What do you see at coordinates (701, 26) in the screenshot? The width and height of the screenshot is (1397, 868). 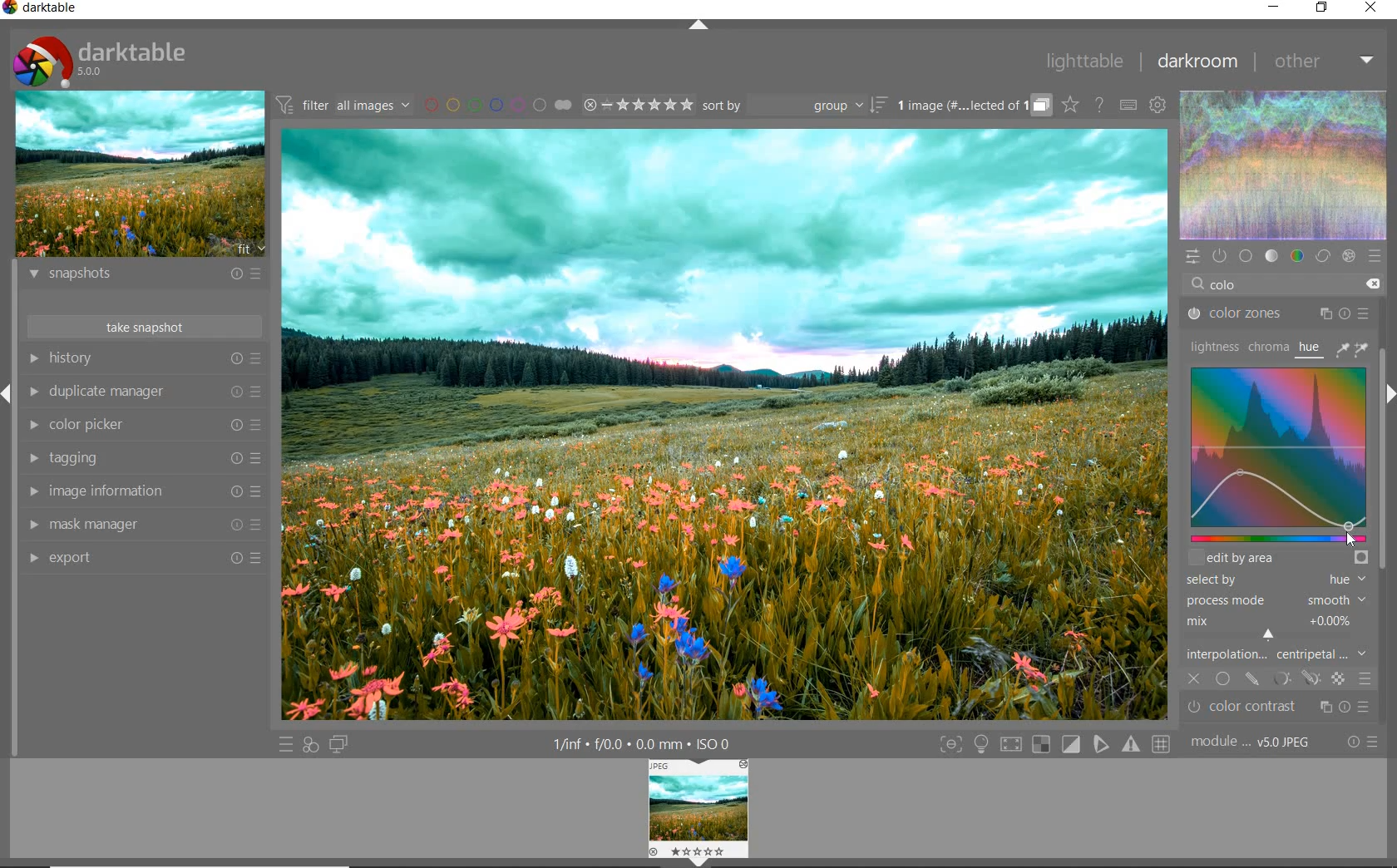 I see `expand/collapse` at bounding box center [701, 26].